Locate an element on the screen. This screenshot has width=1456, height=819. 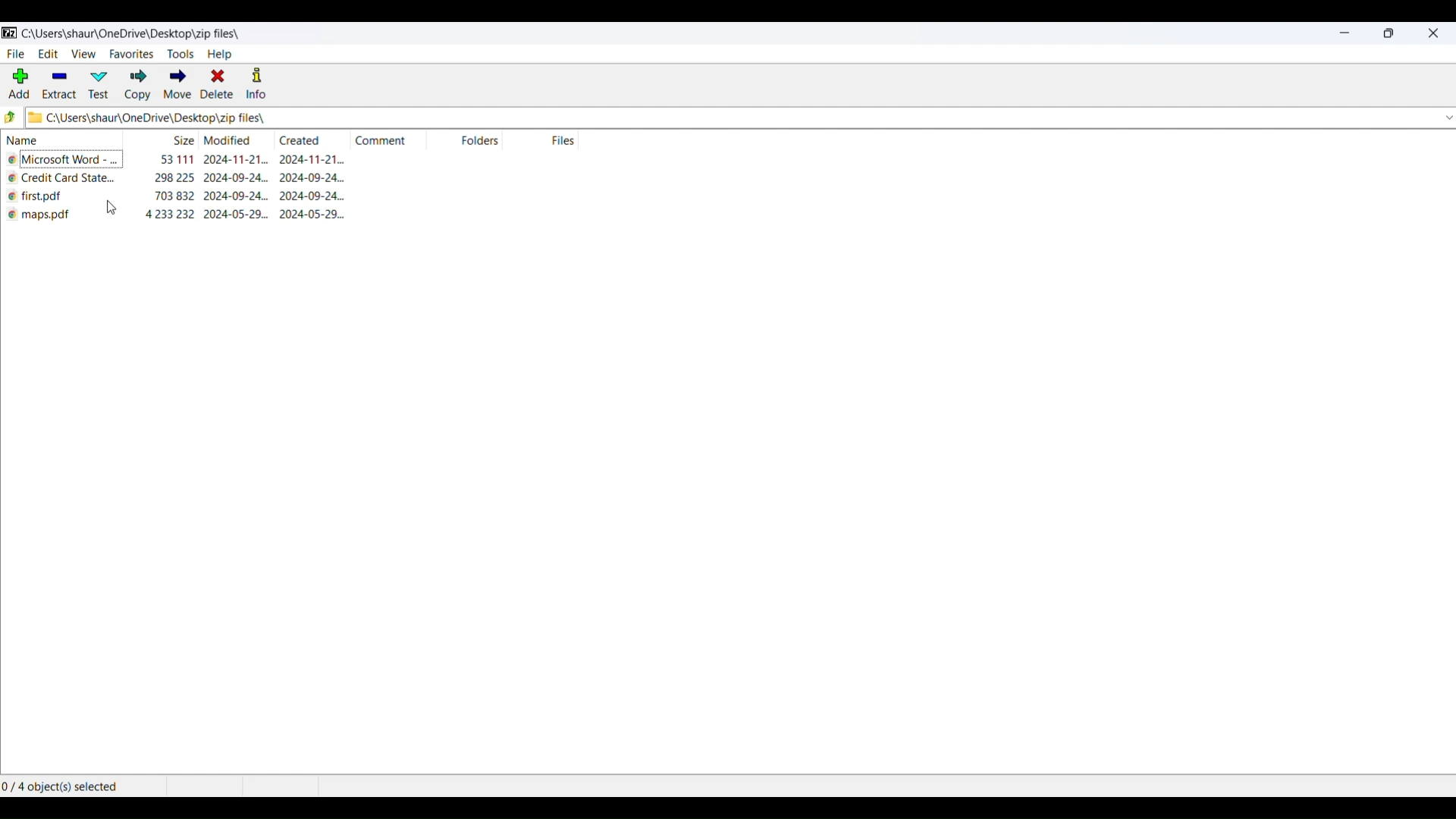
file modification date is located at coordinates (237, 178).